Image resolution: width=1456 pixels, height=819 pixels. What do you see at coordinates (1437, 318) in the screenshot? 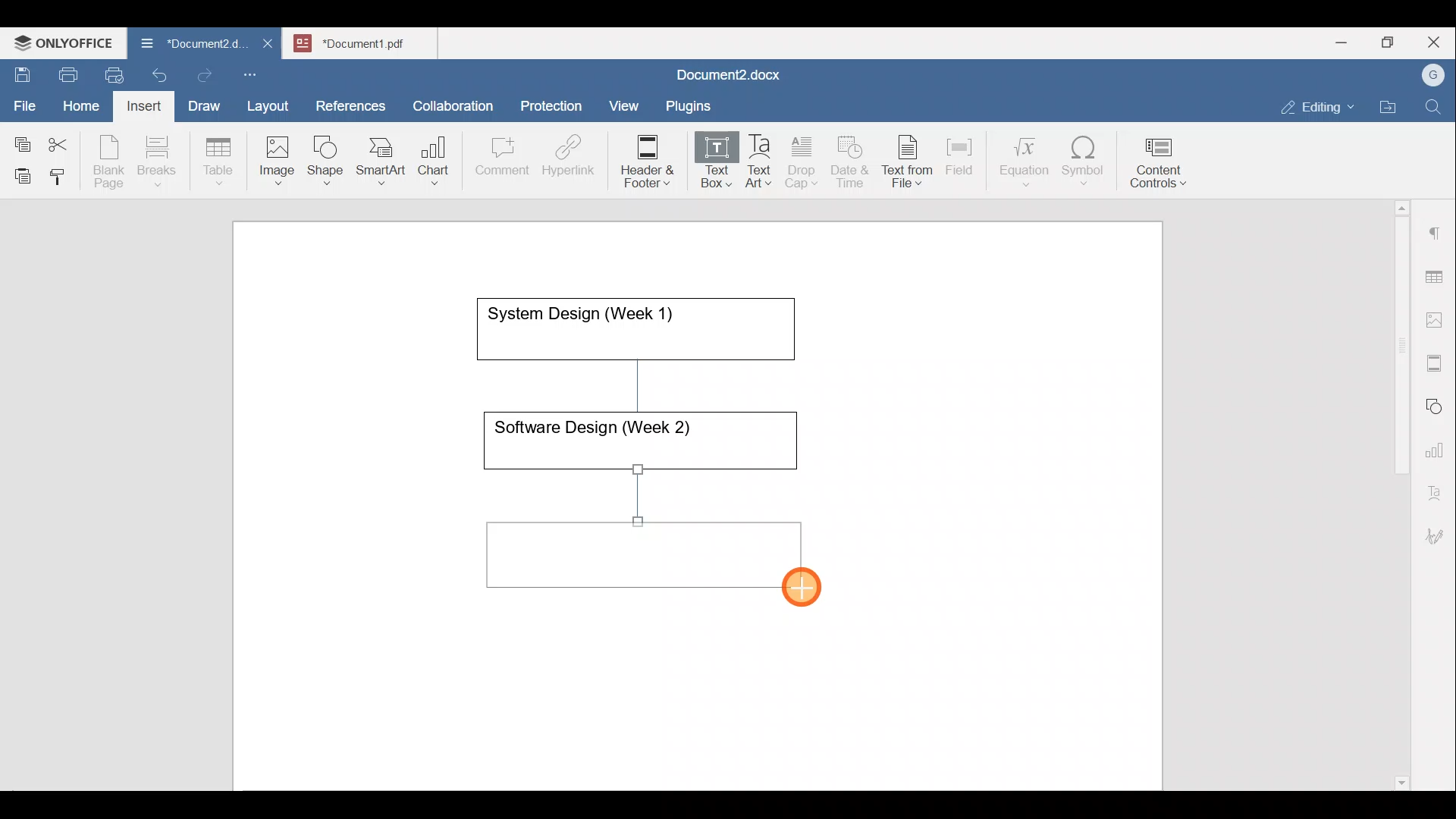
I see `Image settings` at bounding box center [1437, 318].